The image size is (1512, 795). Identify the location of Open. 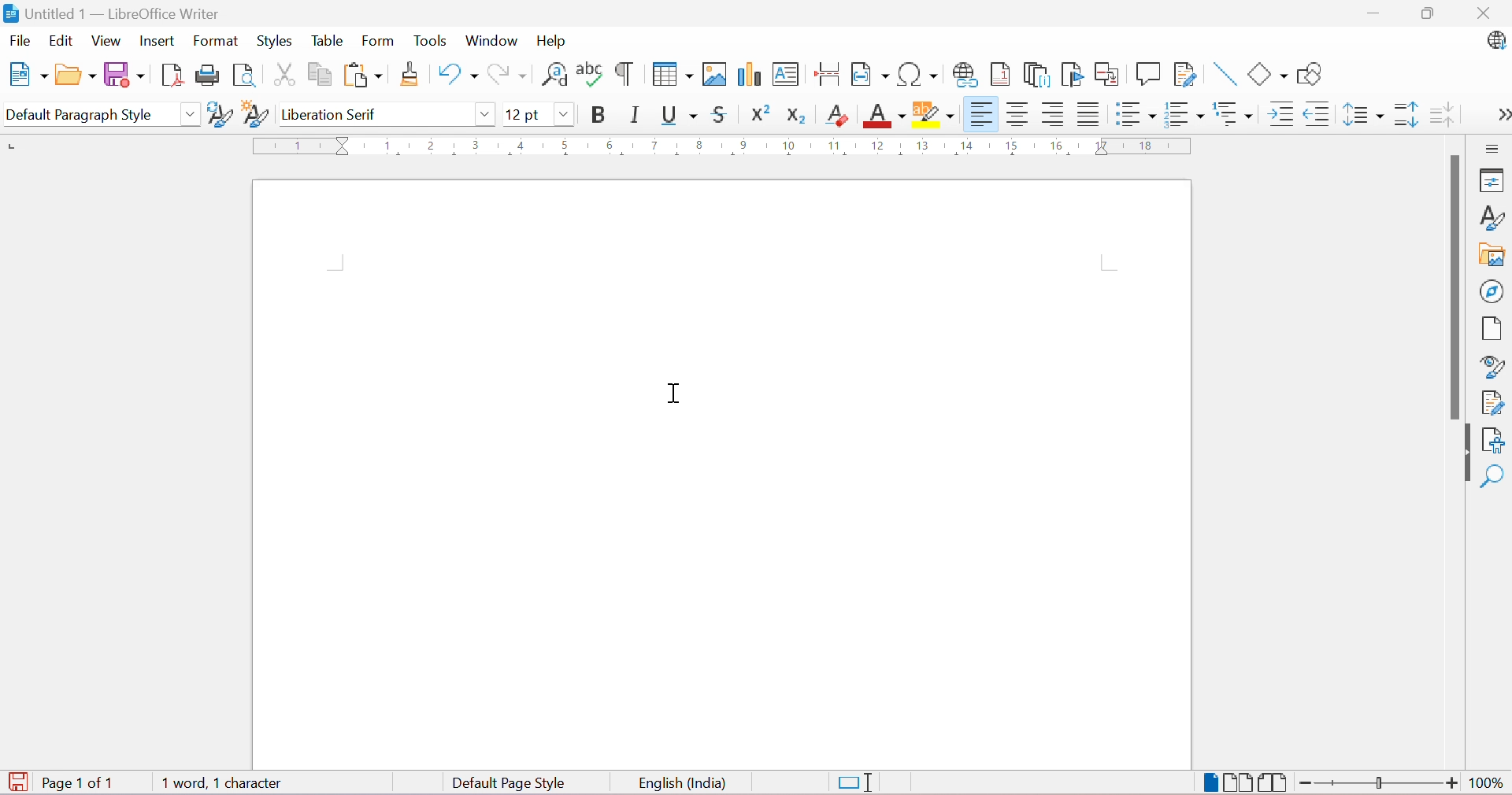
(75, 76).